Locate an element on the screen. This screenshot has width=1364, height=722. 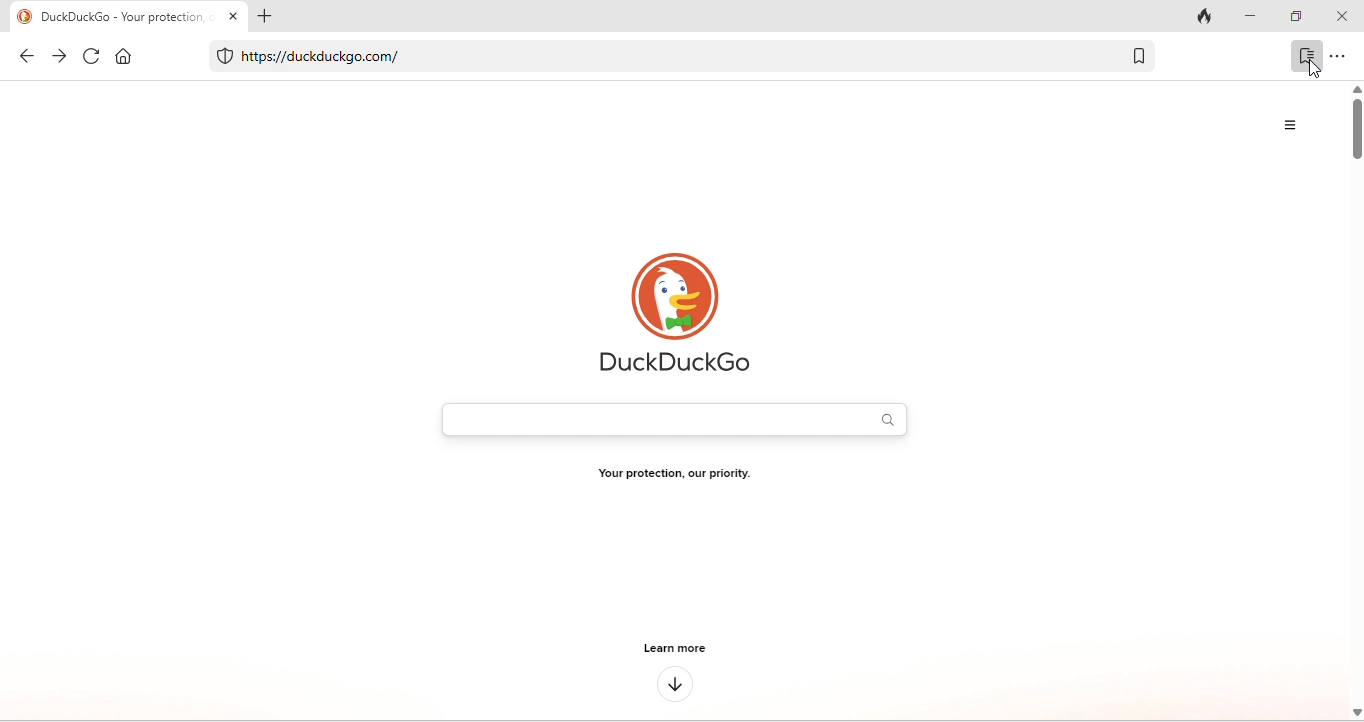
refresh is located at coordinates (89, 58).